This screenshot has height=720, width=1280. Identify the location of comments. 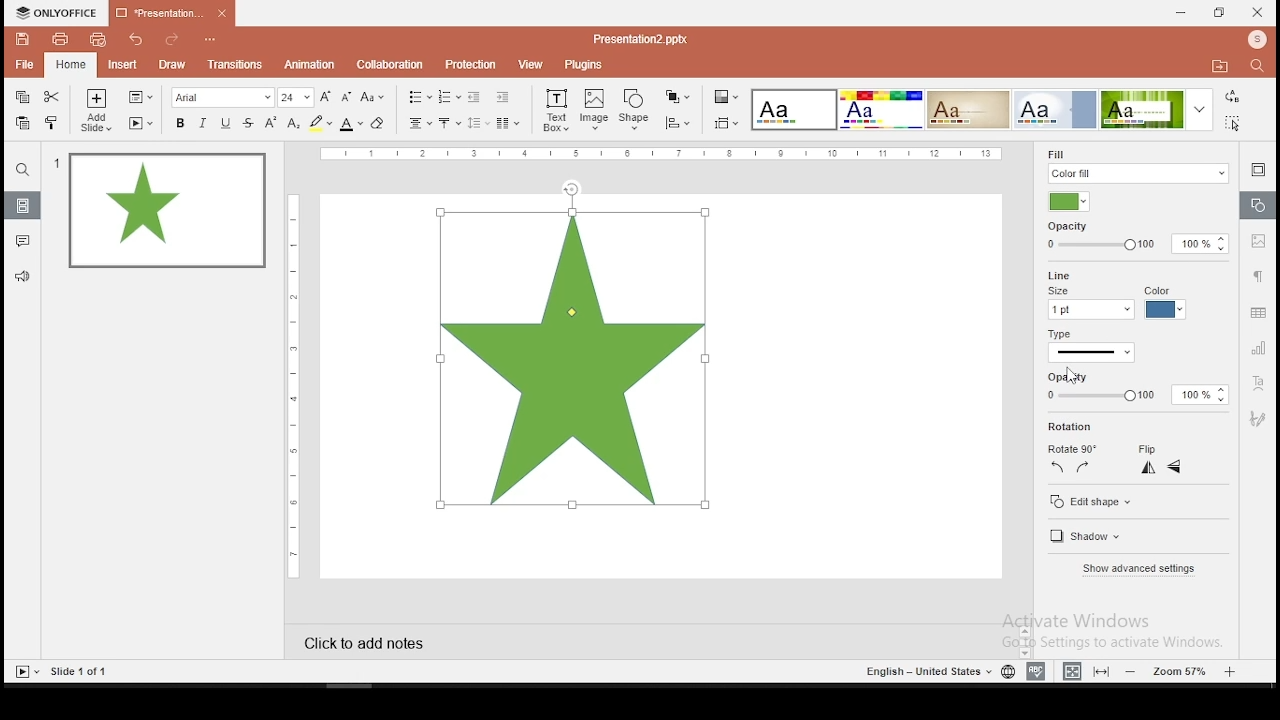
(22, 241).